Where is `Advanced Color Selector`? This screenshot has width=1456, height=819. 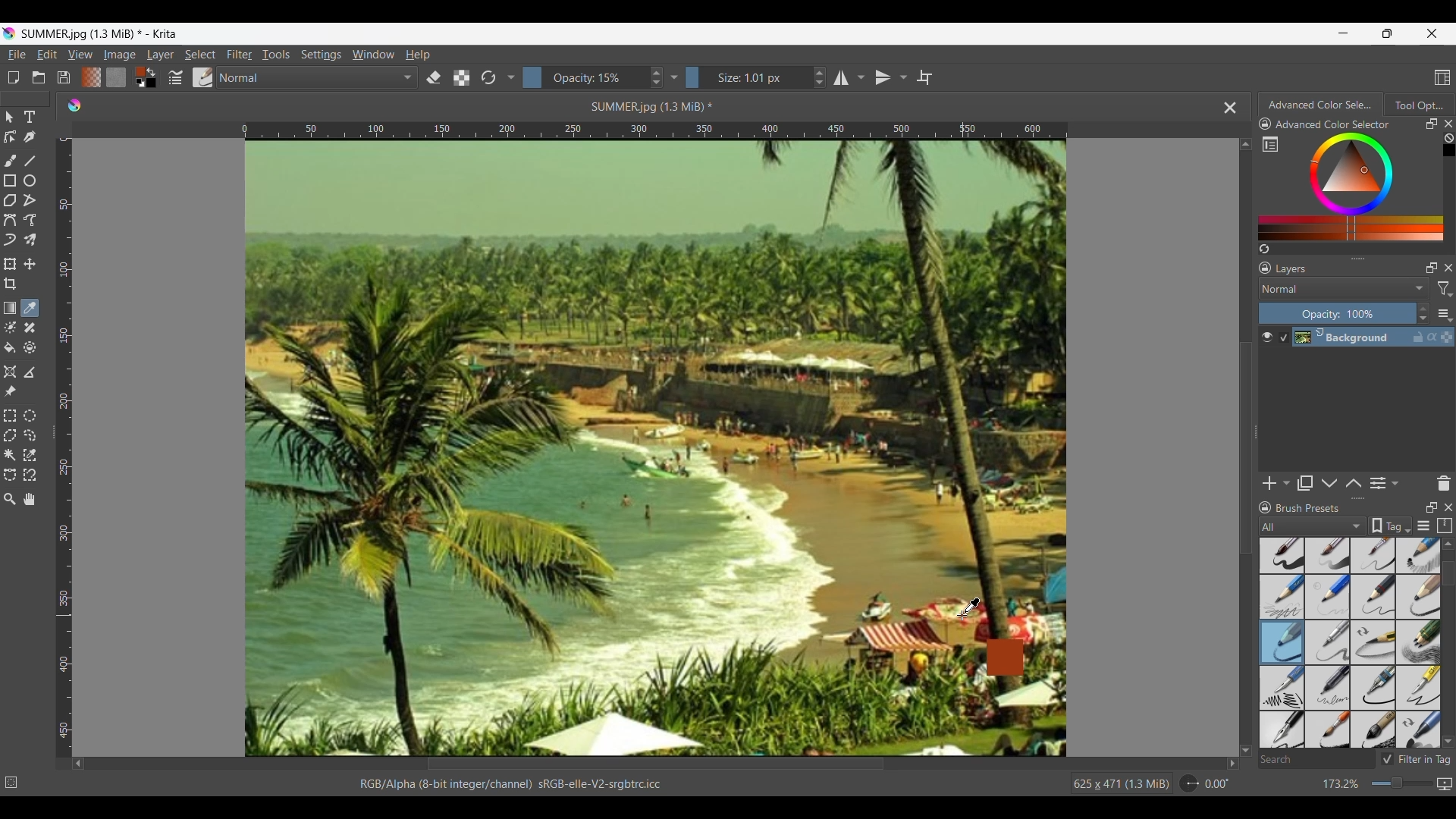 Advanced Color Selector is located at coordinates (1333, 124).